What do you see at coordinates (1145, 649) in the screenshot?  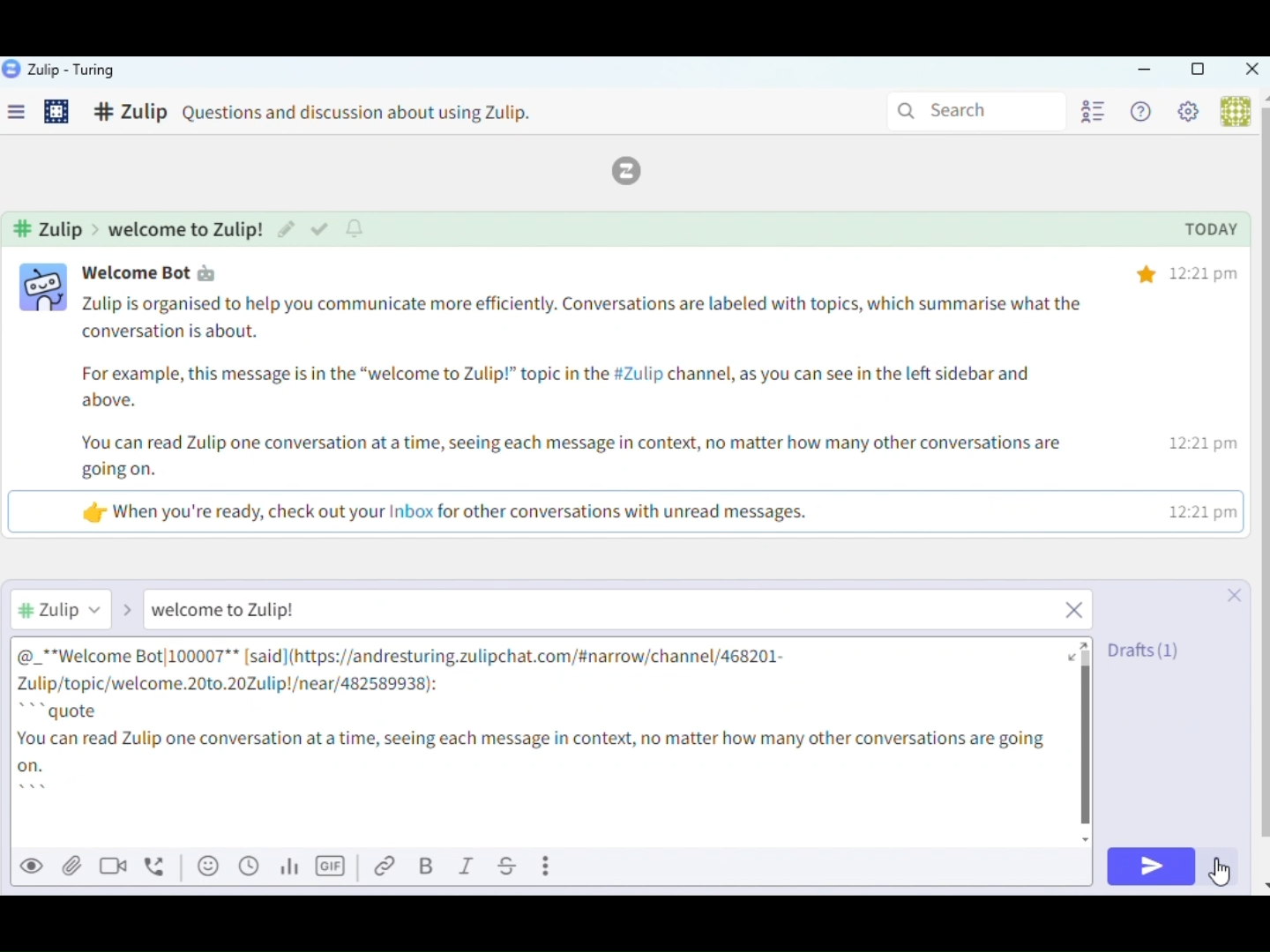 I see `drafts` at bounding box center [1145, 649].